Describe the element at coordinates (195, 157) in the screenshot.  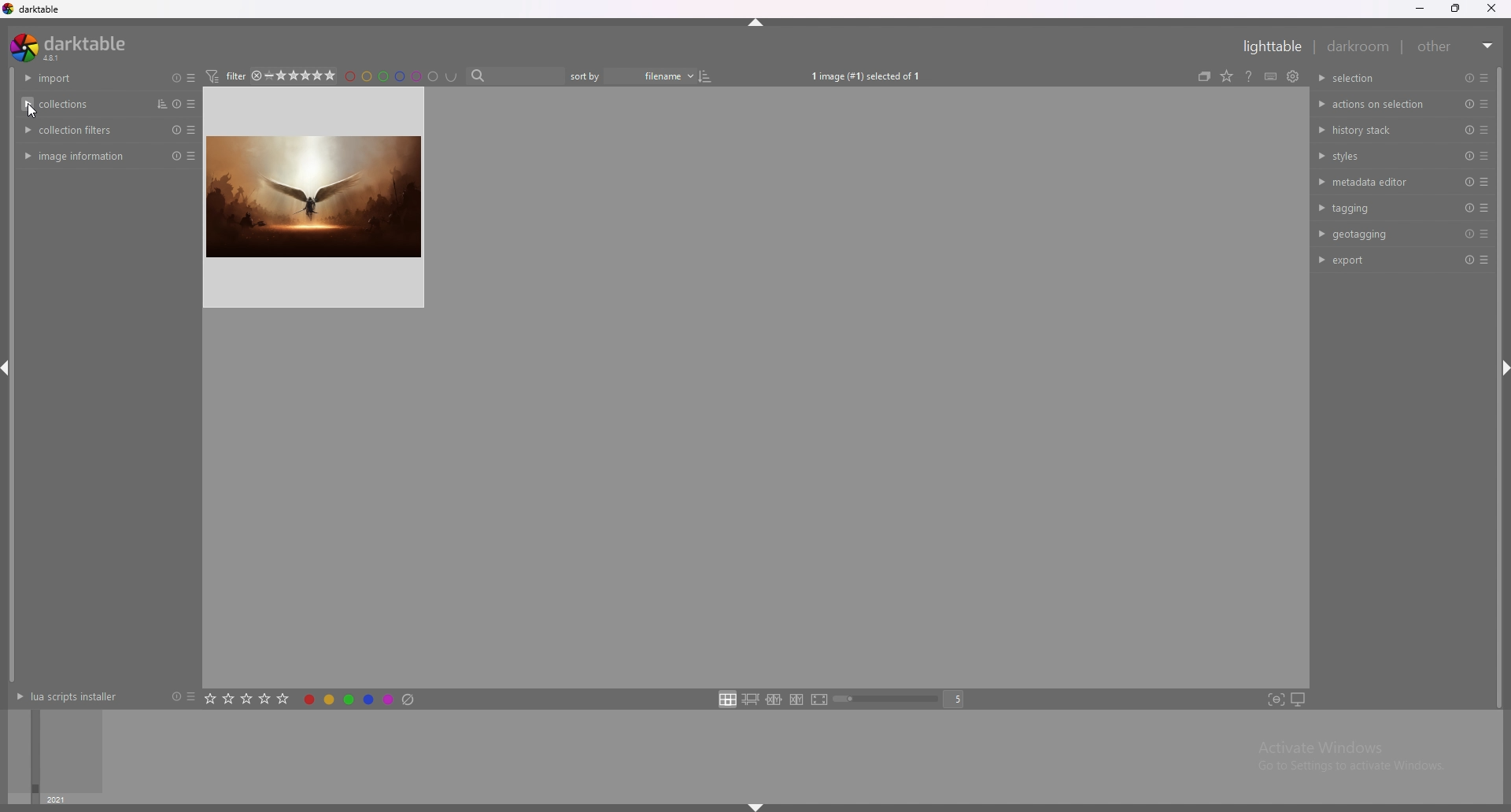
I see `presets` at that location.